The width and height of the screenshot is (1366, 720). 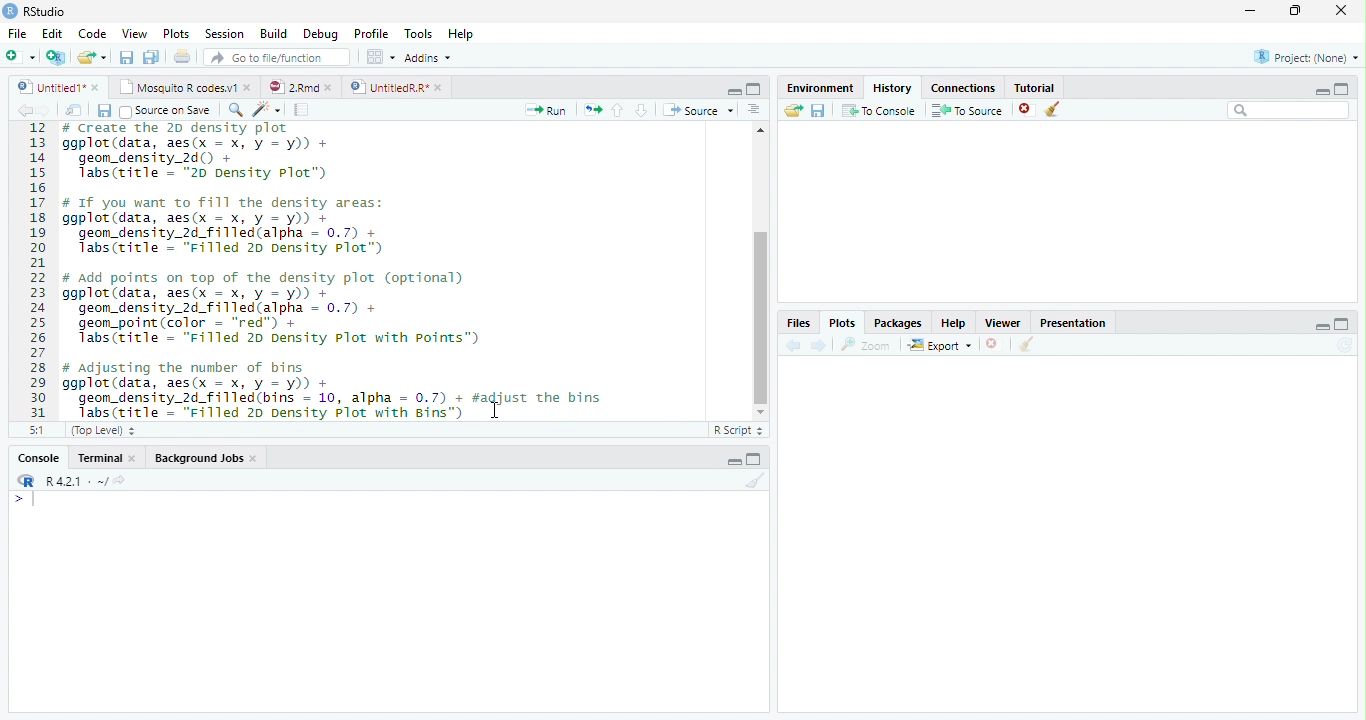 I want to click on minimize, so click(x=1323, y=326).